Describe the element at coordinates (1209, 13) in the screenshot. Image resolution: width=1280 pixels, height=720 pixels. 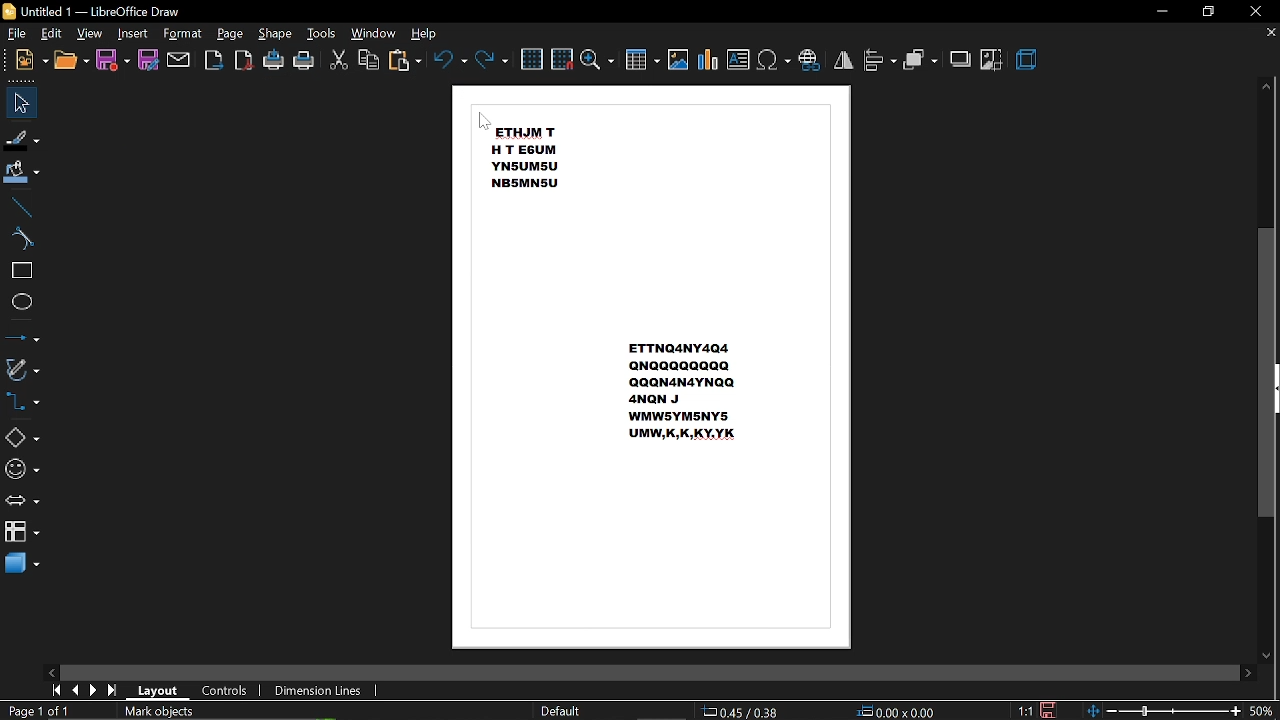
I see `restore down` at that location.